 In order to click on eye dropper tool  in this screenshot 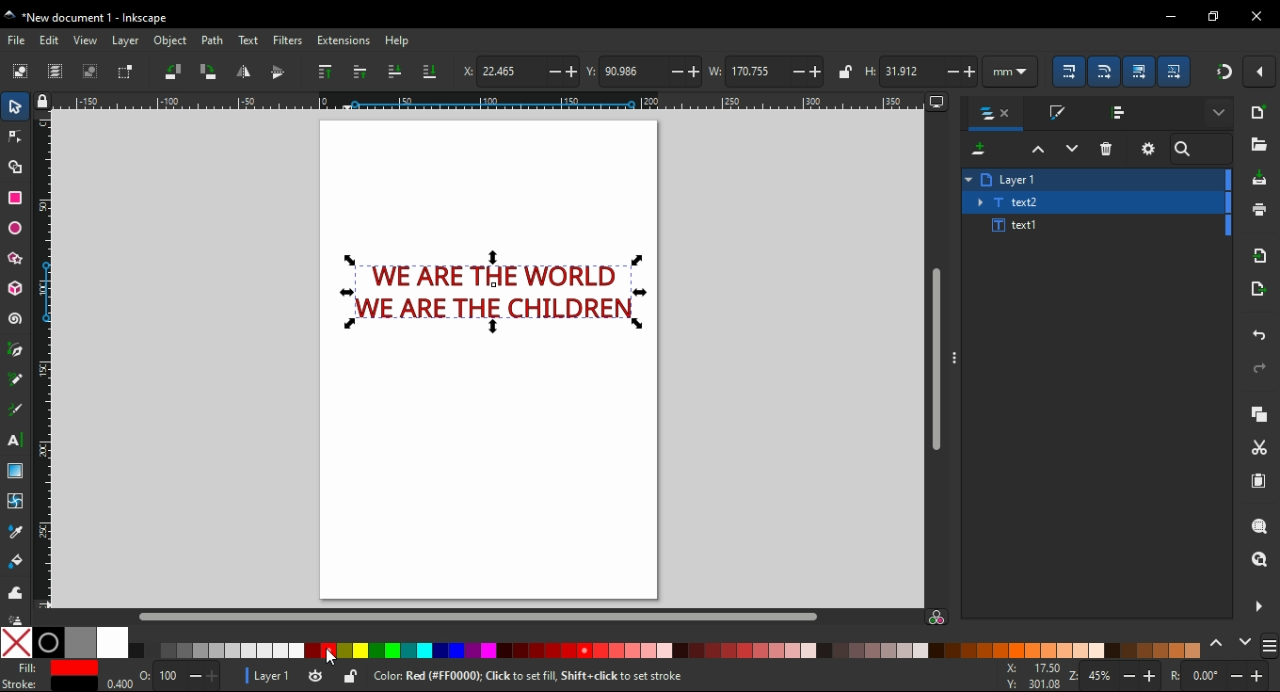, I will do `click(20, 532)`.